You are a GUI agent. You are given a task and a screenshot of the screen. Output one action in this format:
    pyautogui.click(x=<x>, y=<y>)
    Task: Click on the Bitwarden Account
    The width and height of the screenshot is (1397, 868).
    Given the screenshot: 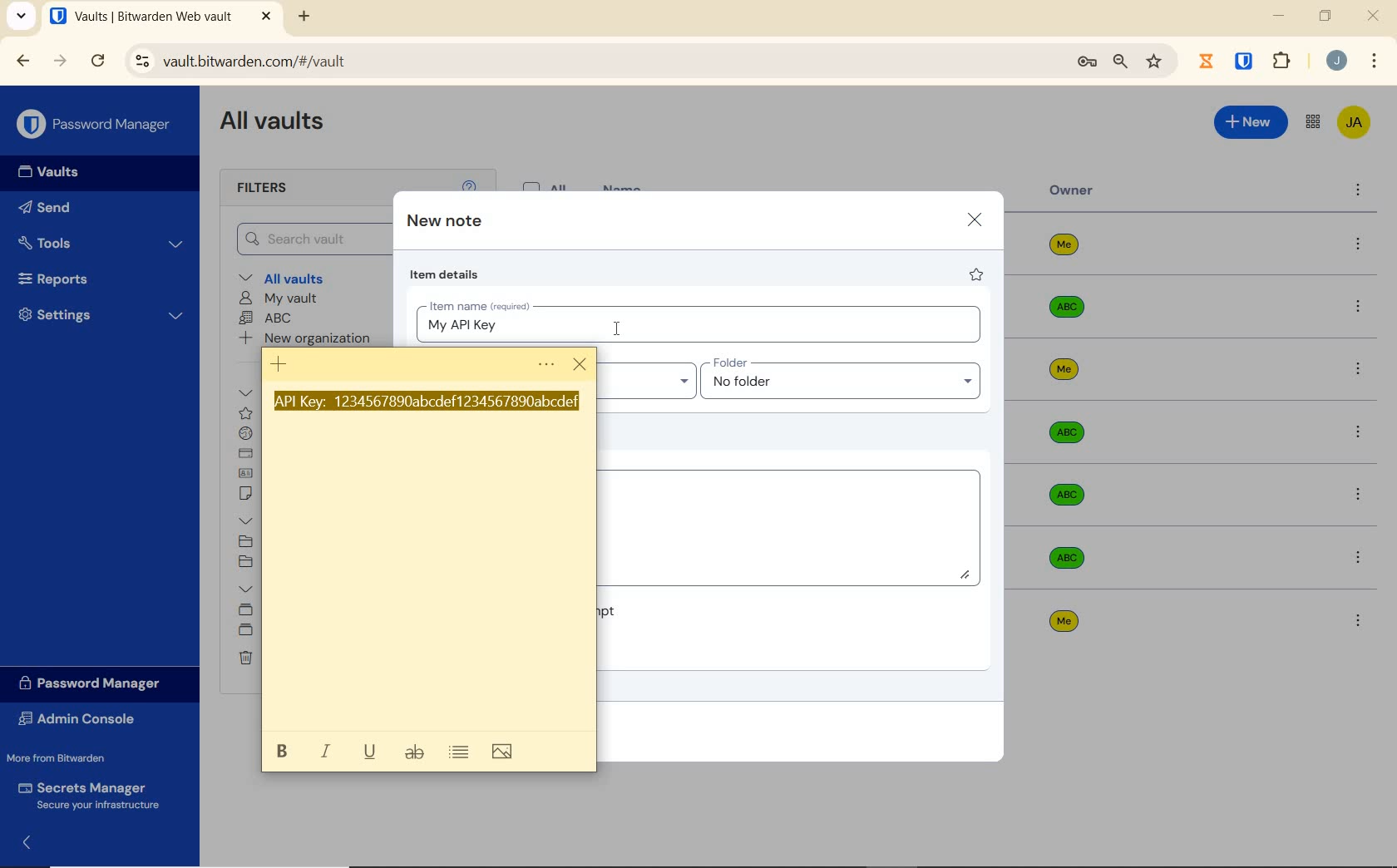 What is the action you would take?
    pyautogui.click(x=1353, y=121)
    